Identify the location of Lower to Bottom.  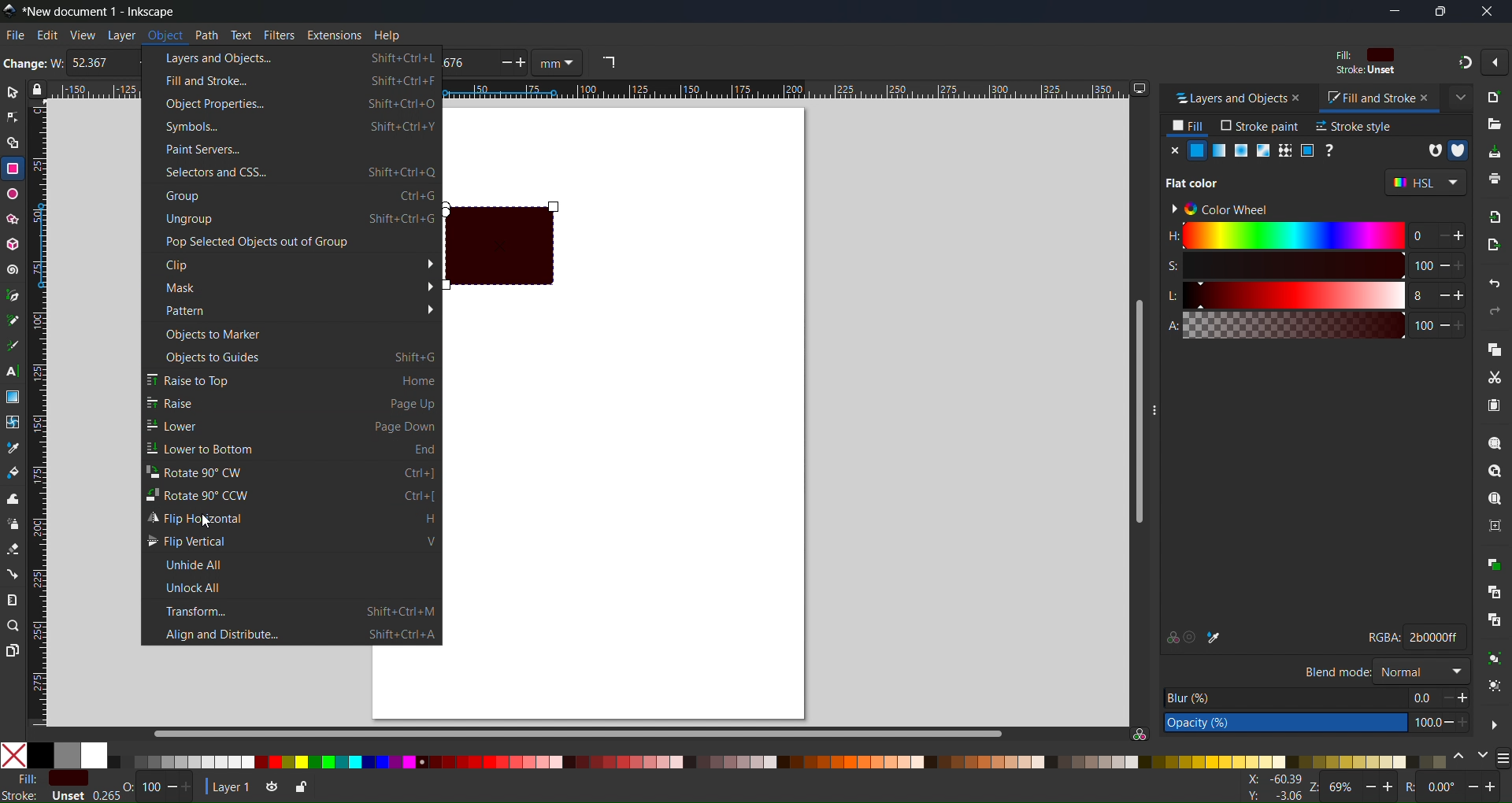
(291, 448).